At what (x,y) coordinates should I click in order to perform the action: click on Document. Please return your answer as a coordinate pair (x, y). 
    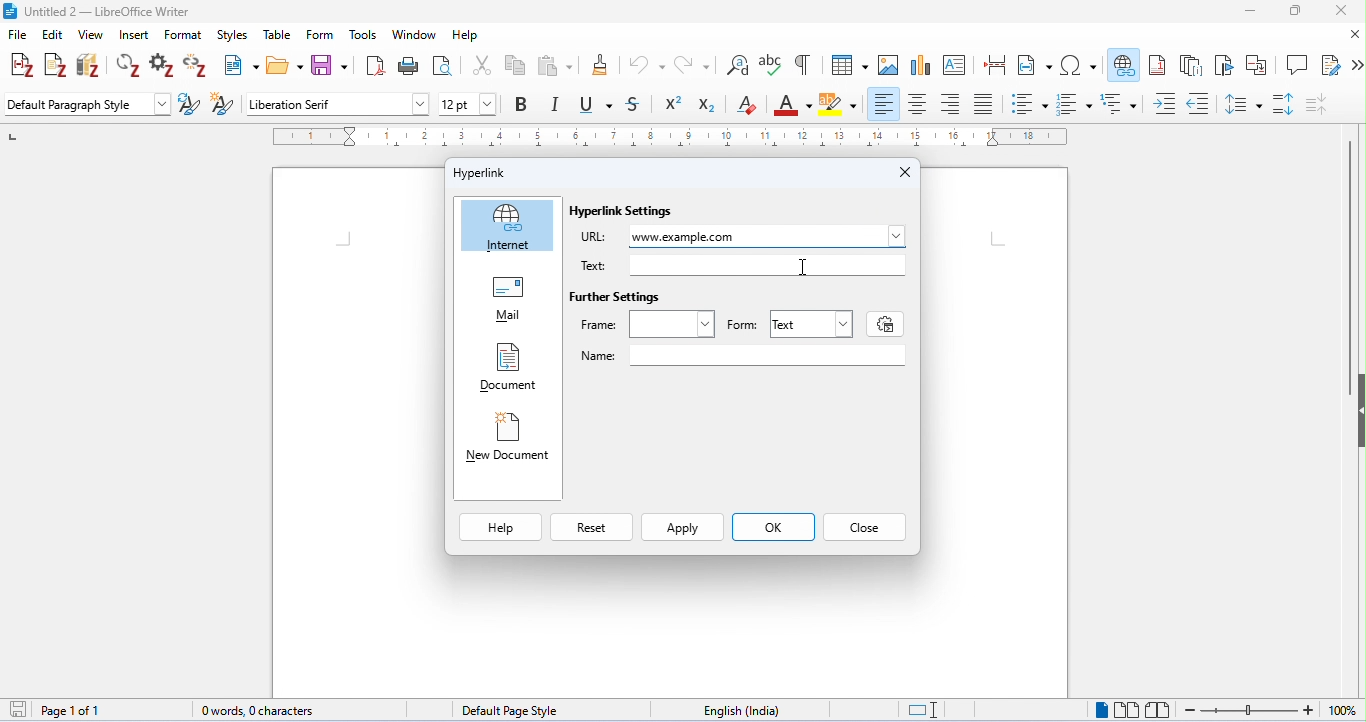
    Looking at the image, I should click on (506, 364).